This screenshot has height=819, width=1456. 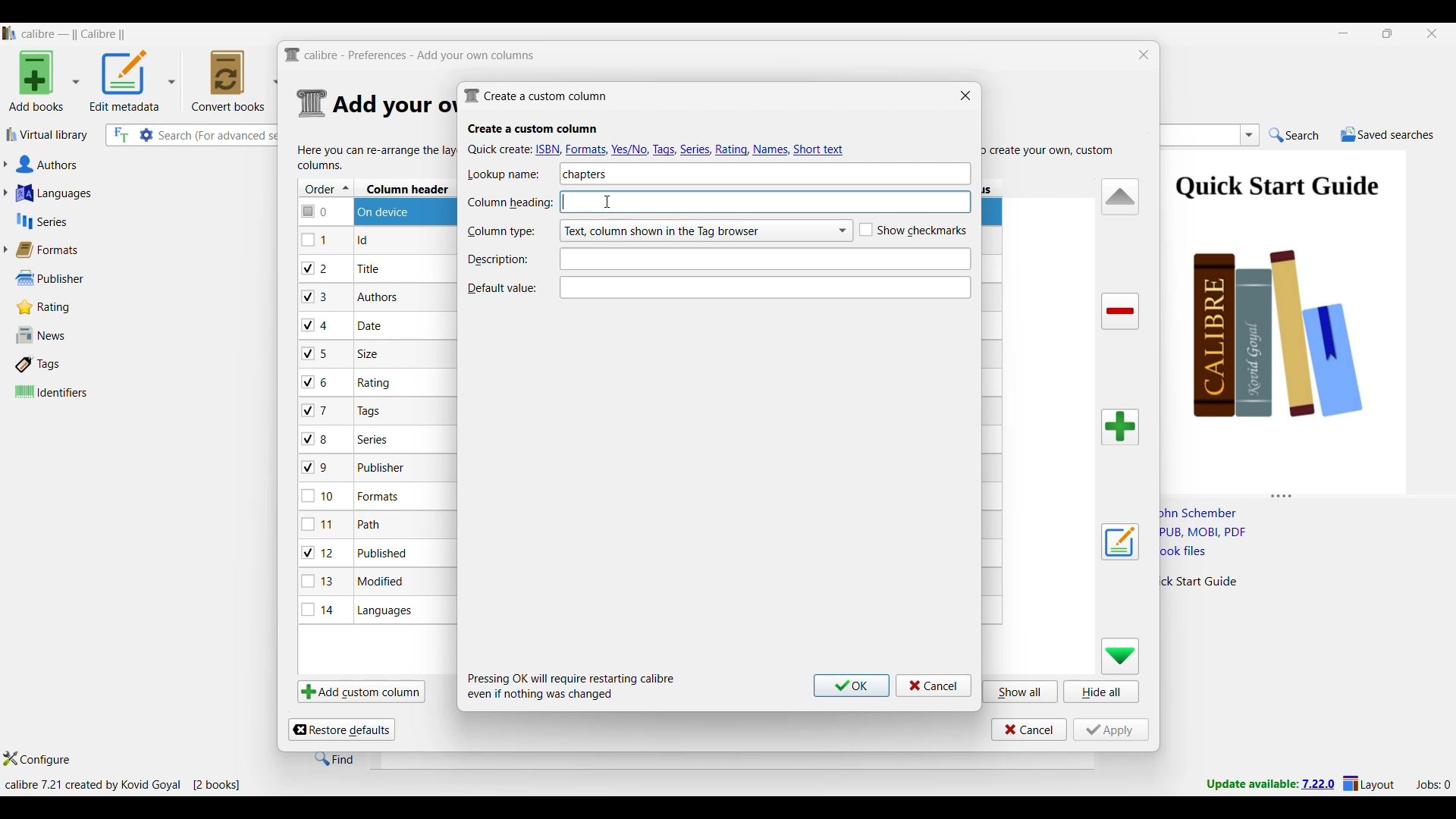 What do you see at coordinates (321, 497) in the screenshot?
I see `checkbox - 10` at bounding box center [321, 497].